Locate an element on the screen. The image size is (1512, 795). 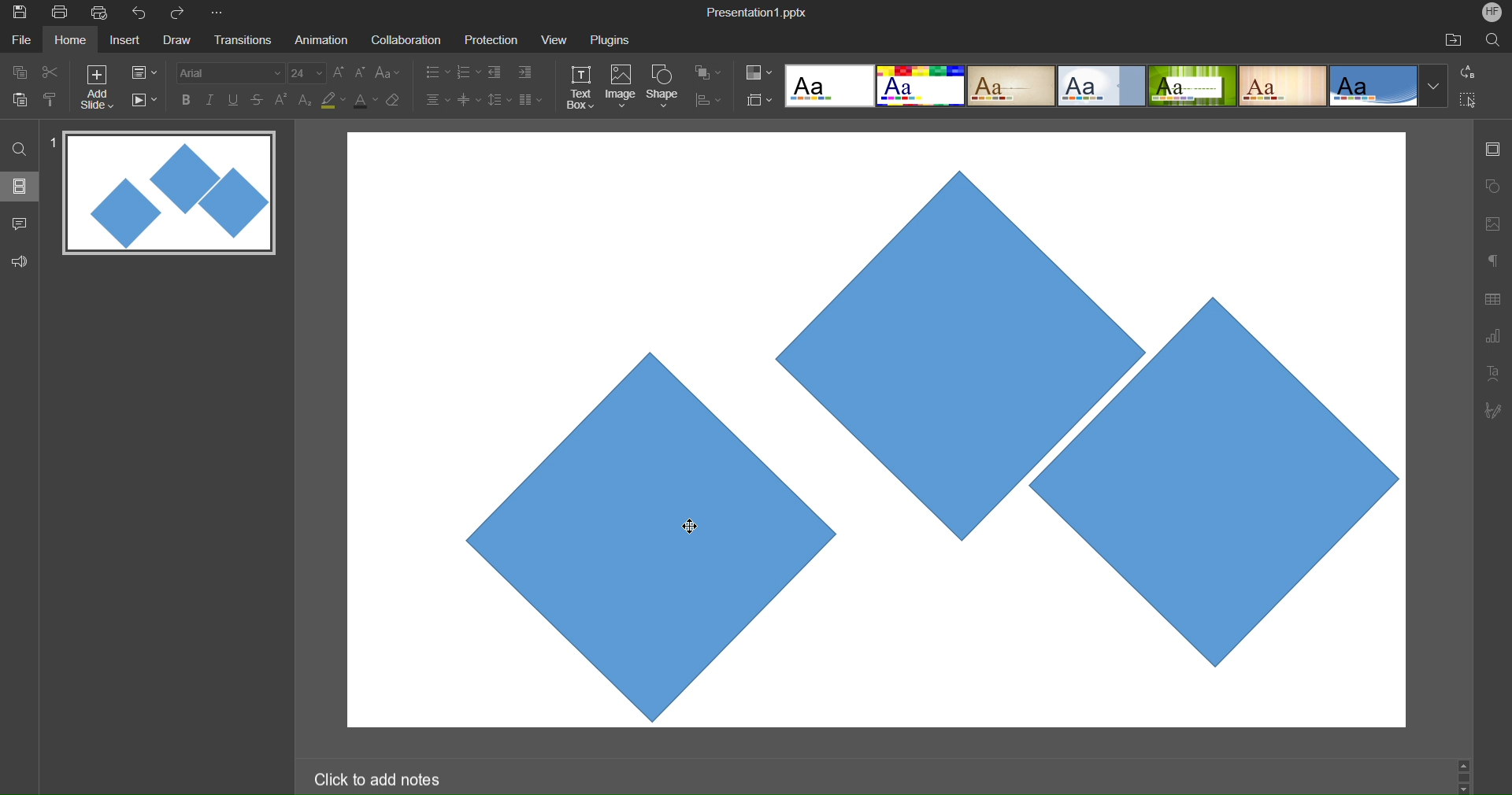
Signature is located at coordinates (1492, 410).